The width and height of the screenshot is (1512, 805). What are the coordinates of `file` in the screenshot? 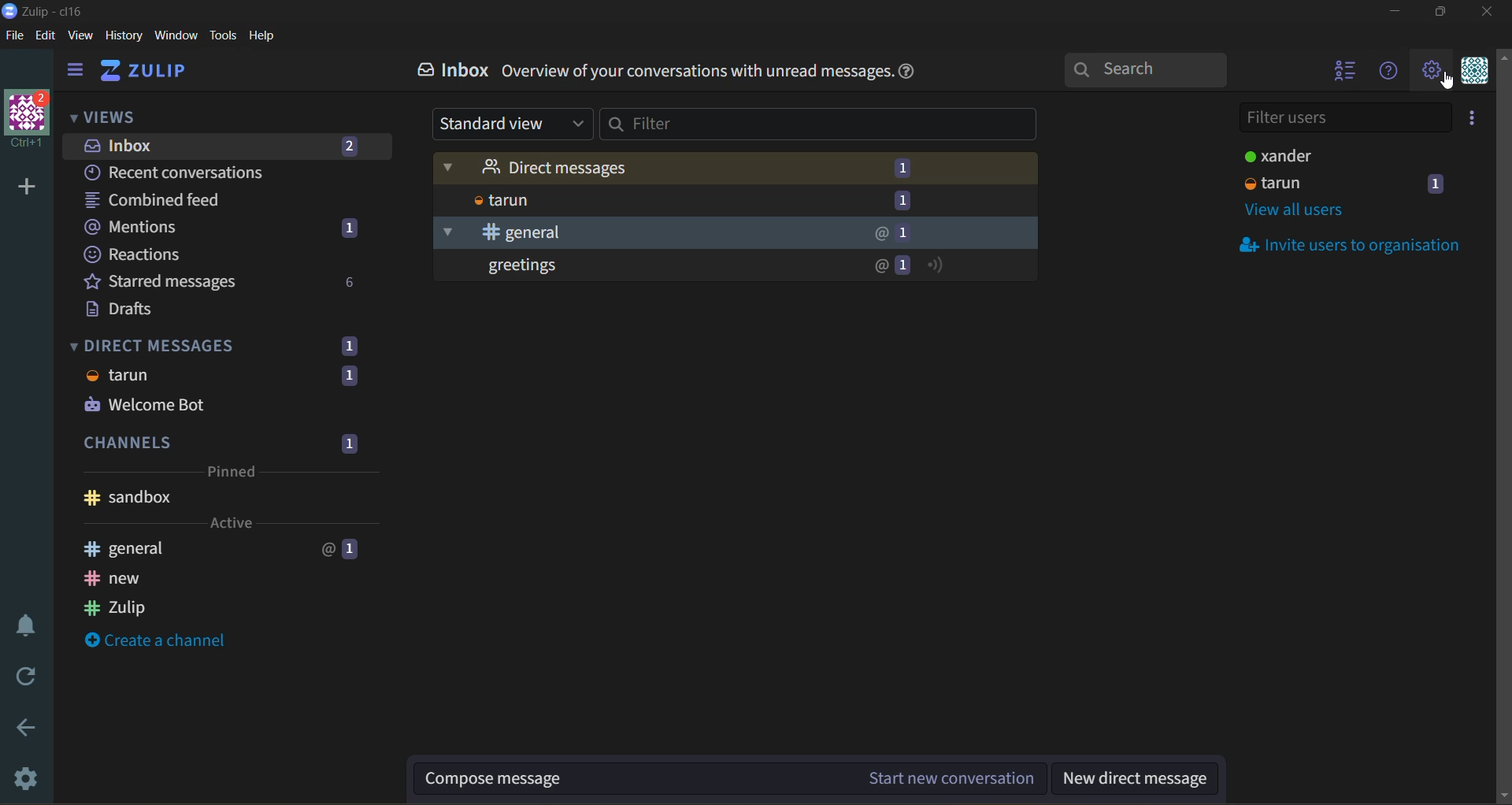 It's located at (15, 36).